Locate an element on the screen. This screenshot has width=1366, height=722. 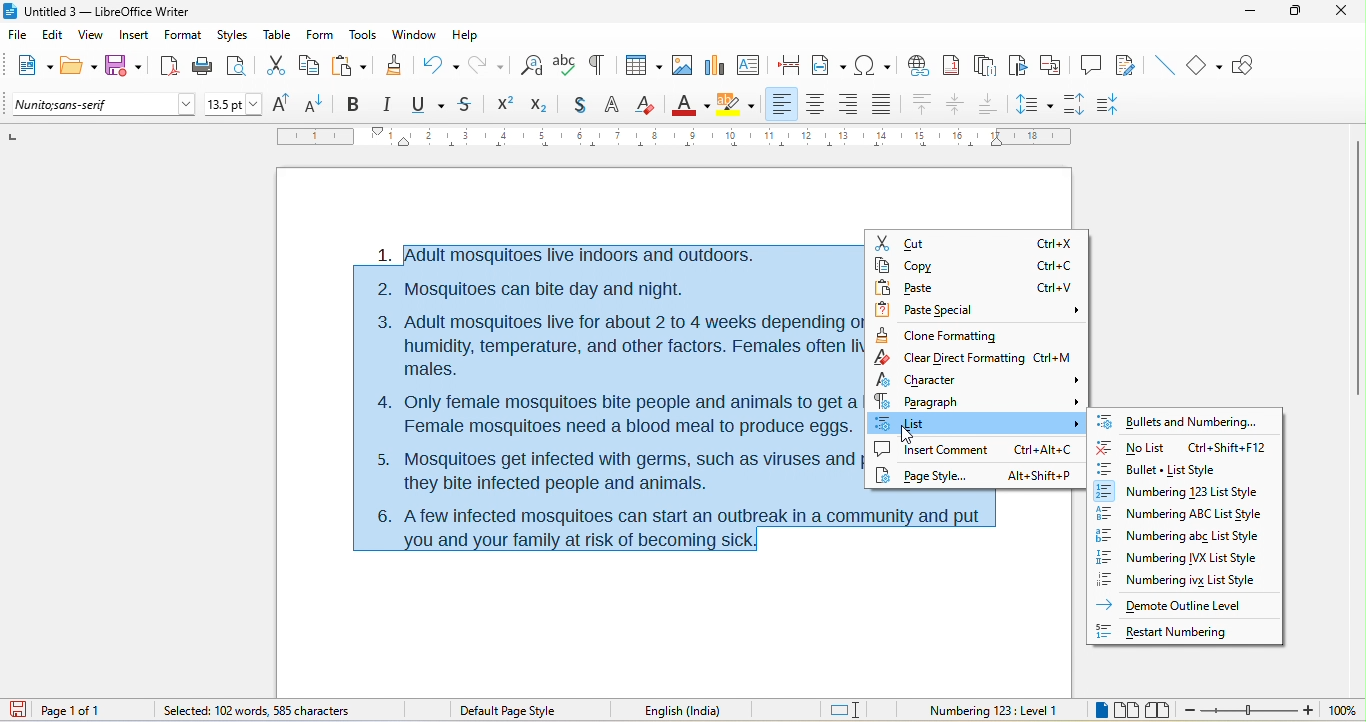
page break is located at coordinates (792, 67).